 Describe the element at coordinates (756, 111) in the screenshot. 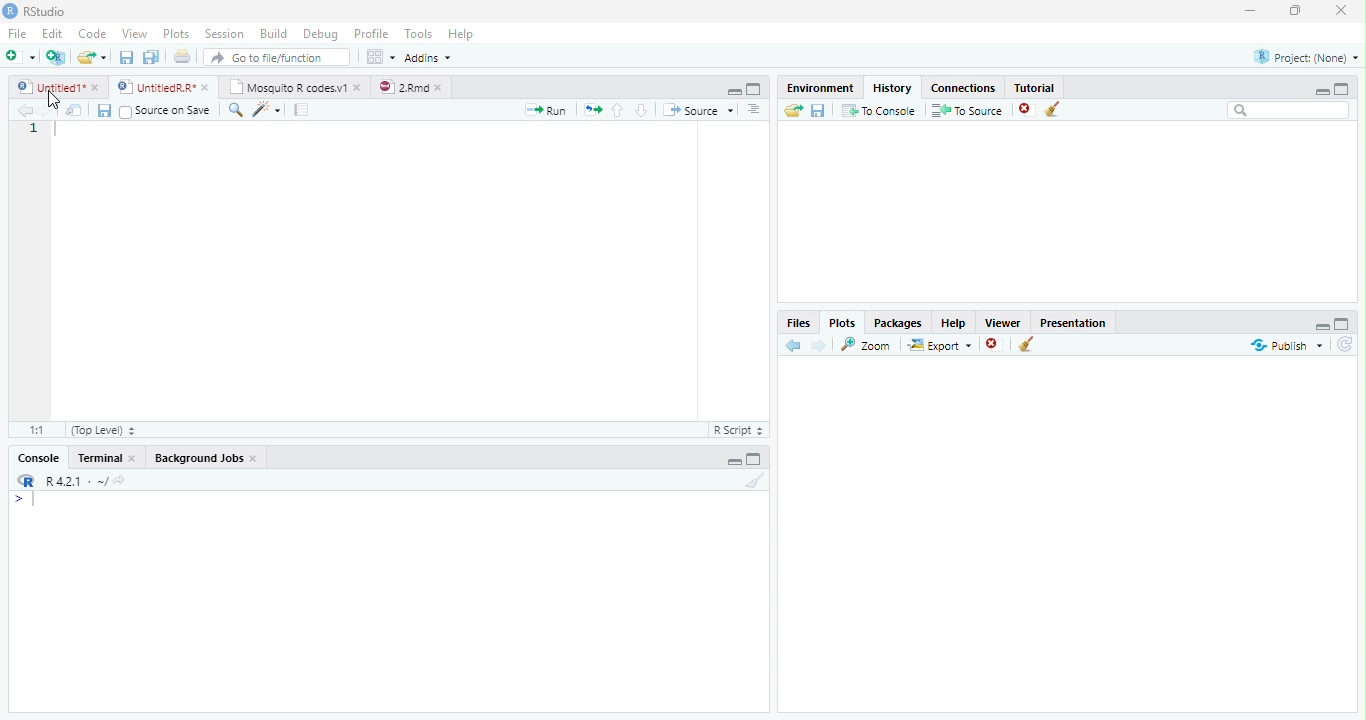

I see `List` at that location.